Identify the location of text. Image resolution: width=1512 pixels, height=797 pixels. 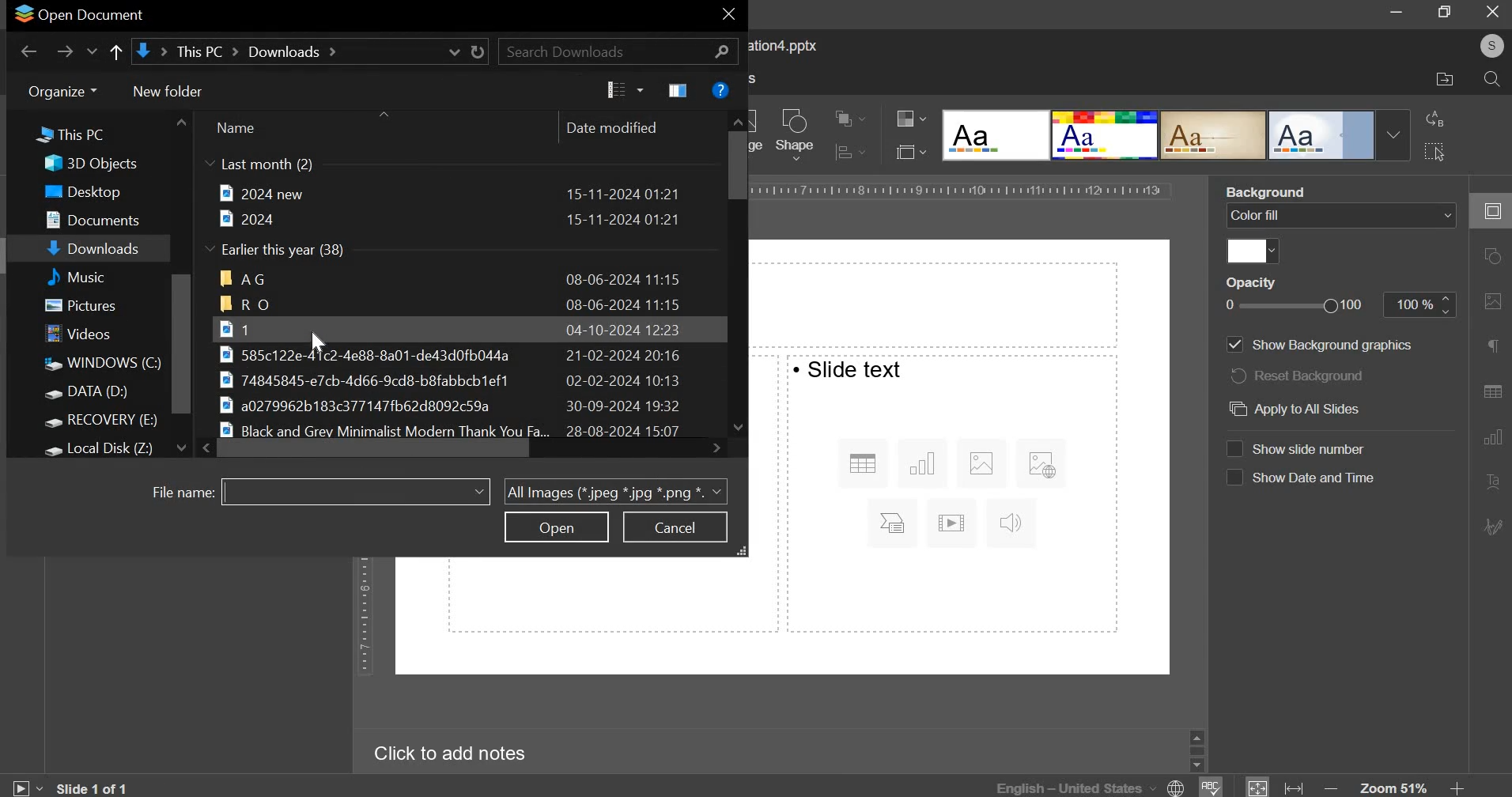
(849, 368).